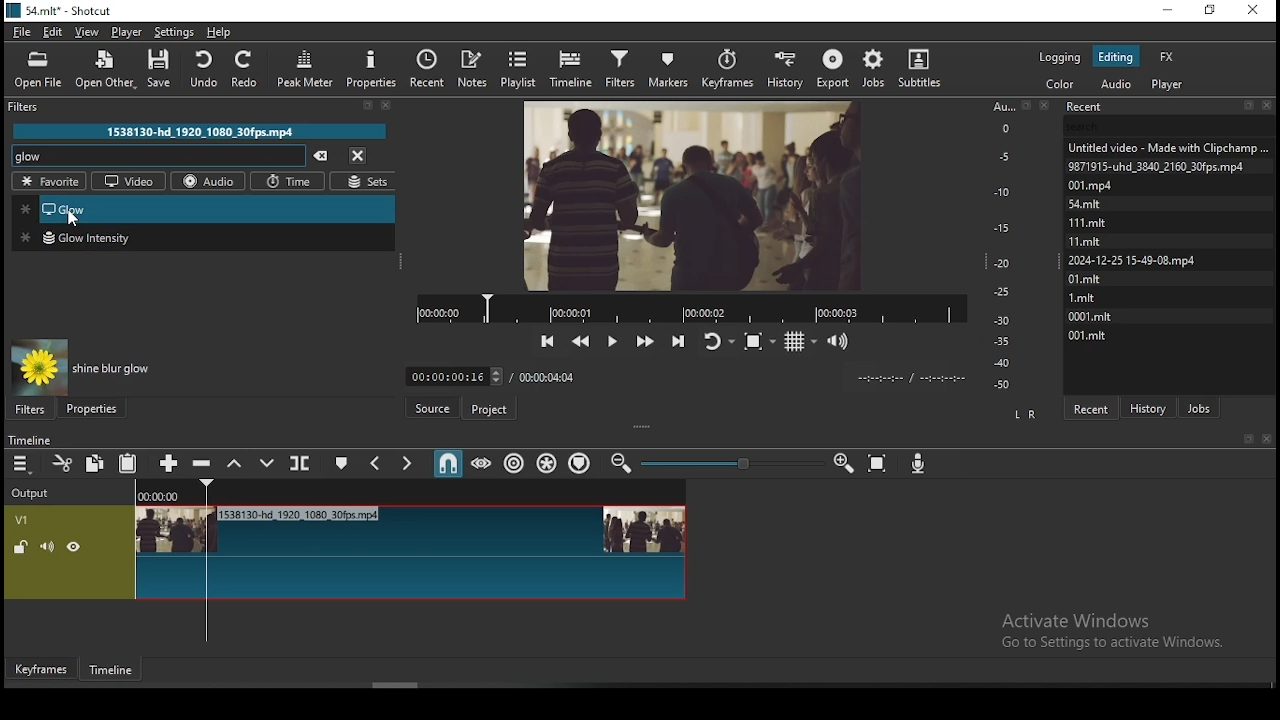 Image resolution: width=1280 pixels, height=720 pixels. I want to click on time format, so click(907, 376).